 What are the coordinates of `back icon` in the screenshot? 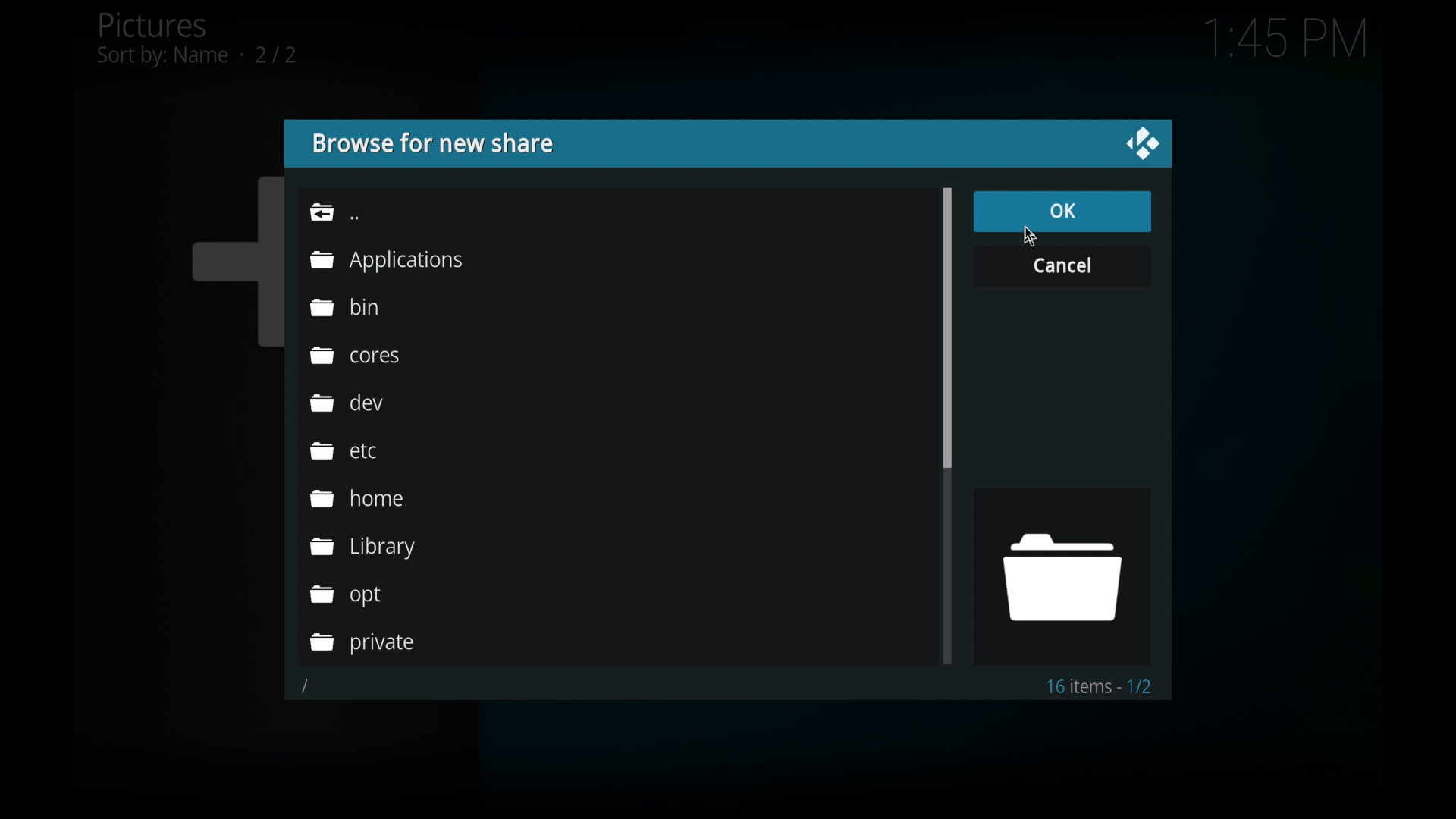 It's located at (334, 212).